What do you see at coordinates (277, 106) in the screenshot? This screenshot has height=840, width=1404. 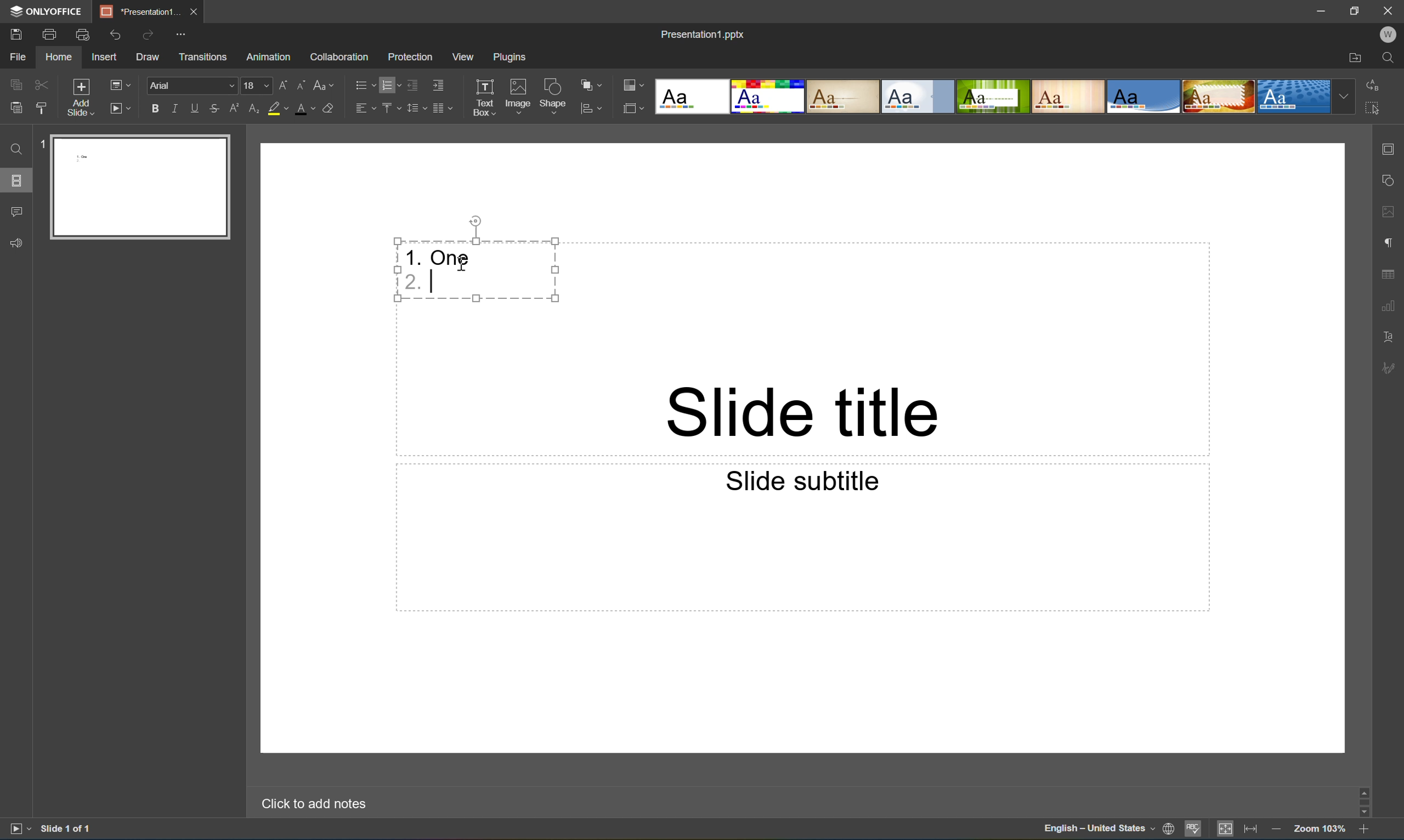 I see `Highlight color` at bounding box center [277, 106].